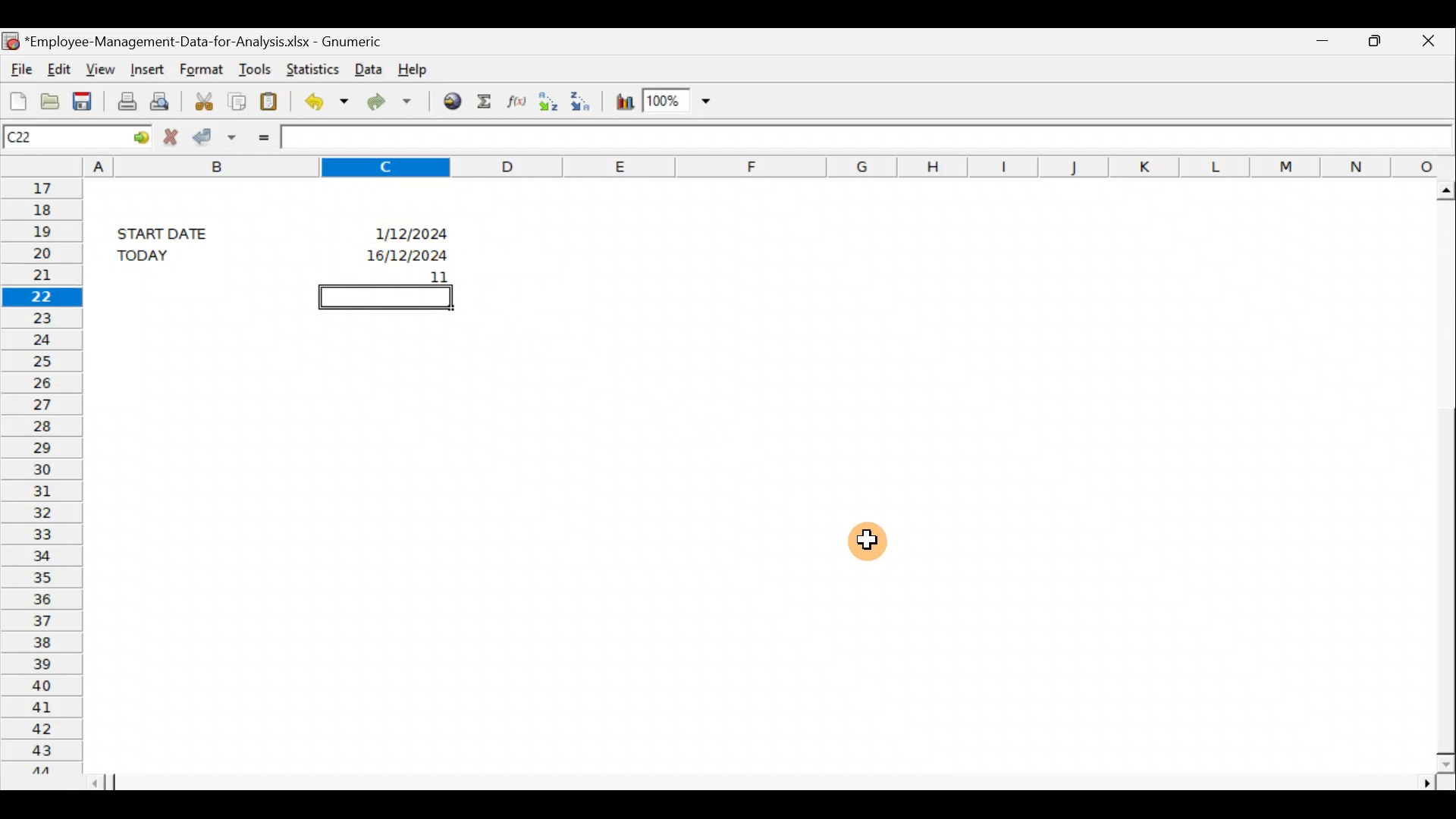  Describe the element at coordinates (171, 231) in the screenshot. I see `START DATE` at that location.